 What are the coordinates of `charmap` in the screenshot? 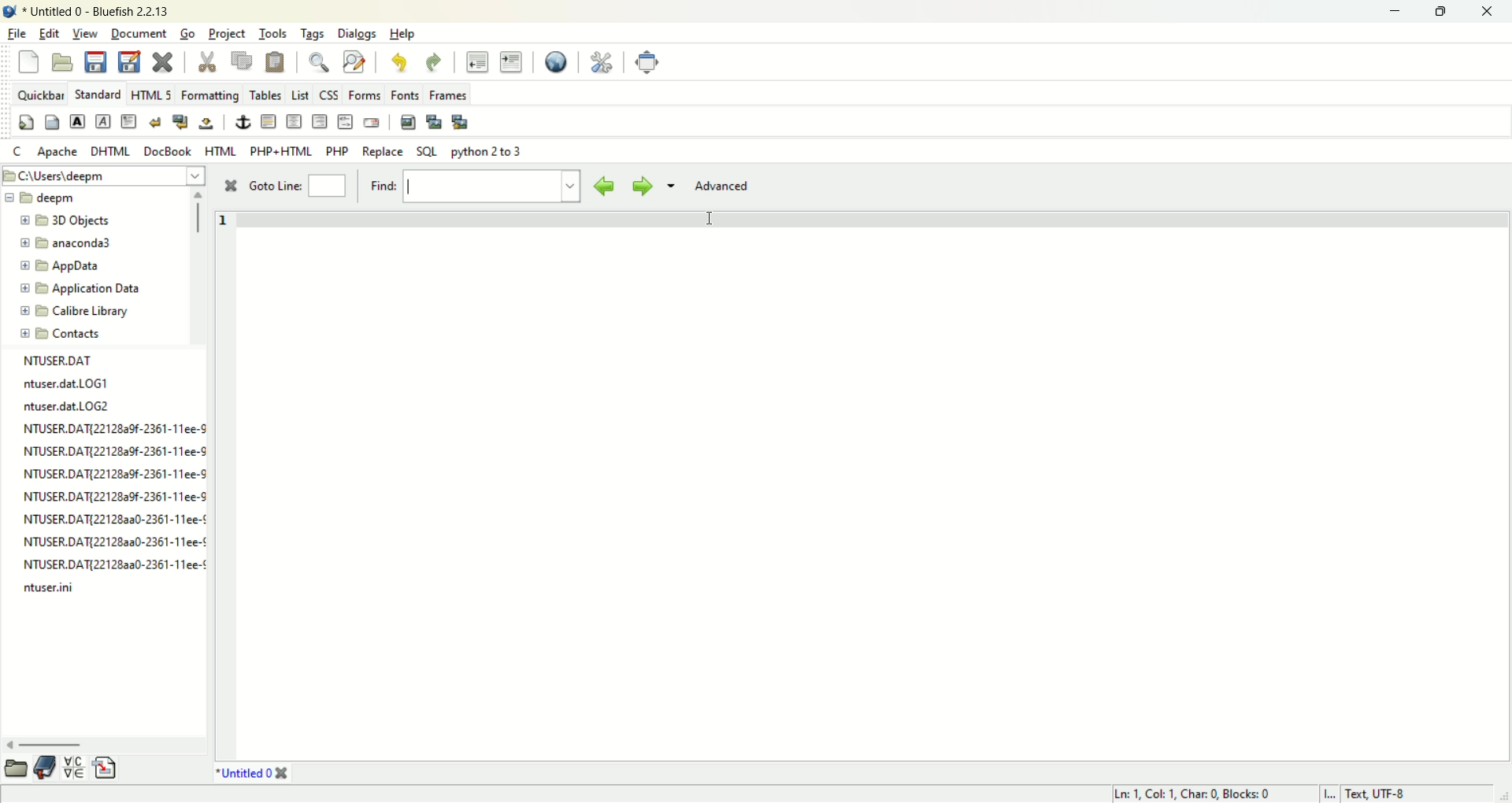 It's located at (75, 769).